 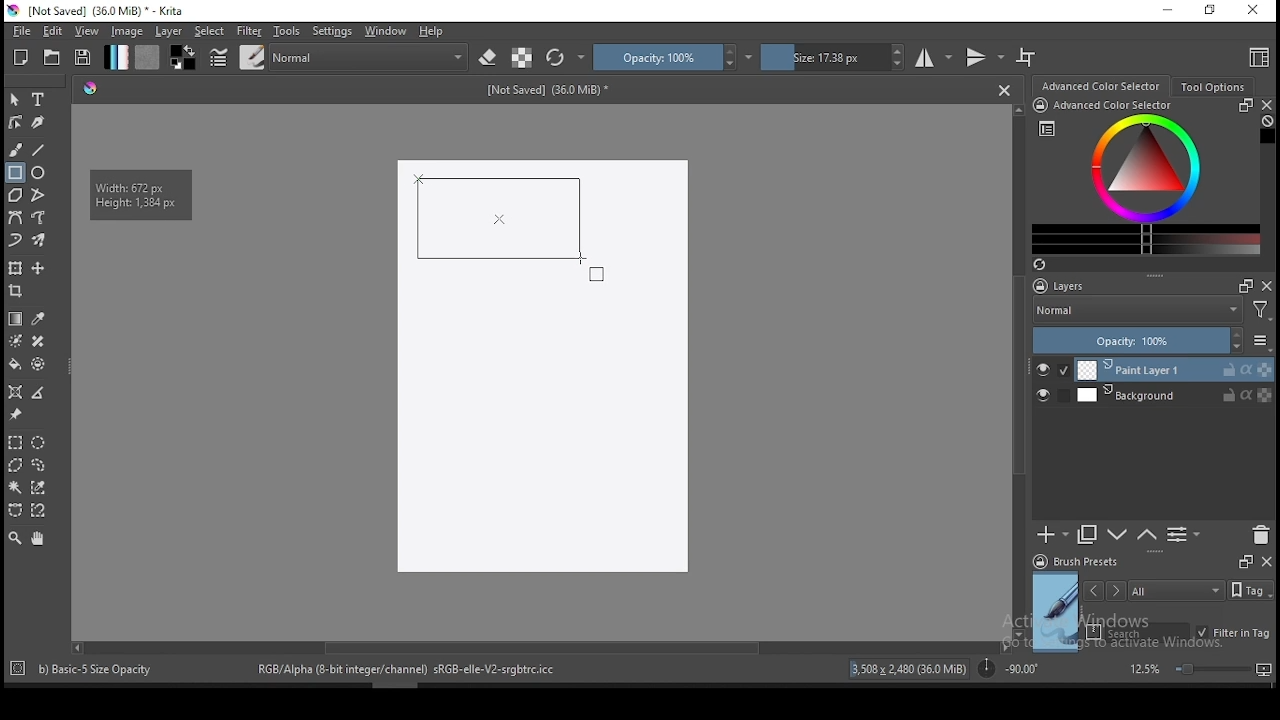 I want to click on brushes, so click(x=252, y=57).